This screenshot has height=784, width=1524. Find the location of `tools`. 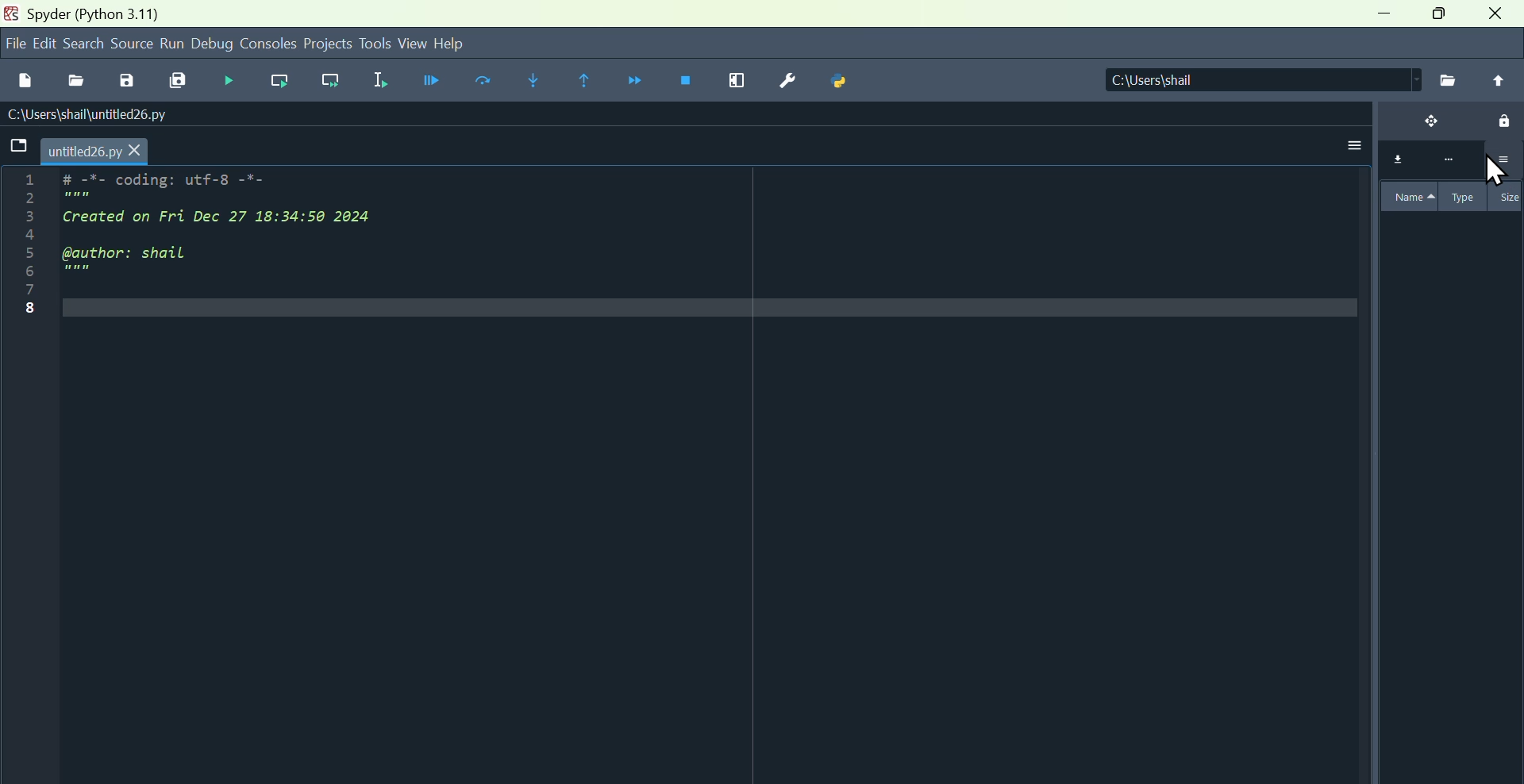

tools is located at coordinates (375, 43).